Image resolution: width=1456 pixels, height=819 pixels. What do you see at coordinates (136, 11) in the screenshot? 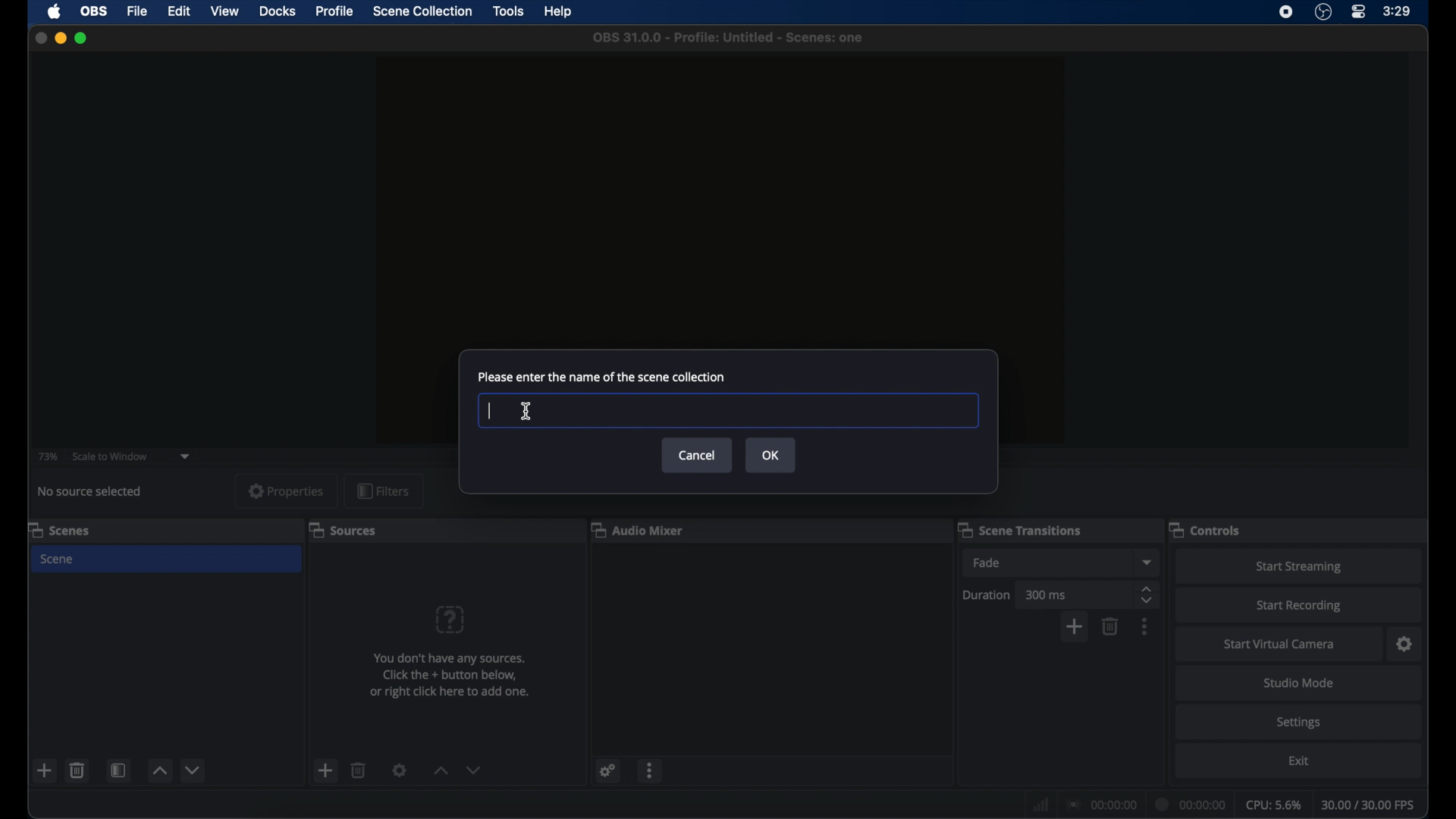
I see `file` at bounding box center [136, 11].